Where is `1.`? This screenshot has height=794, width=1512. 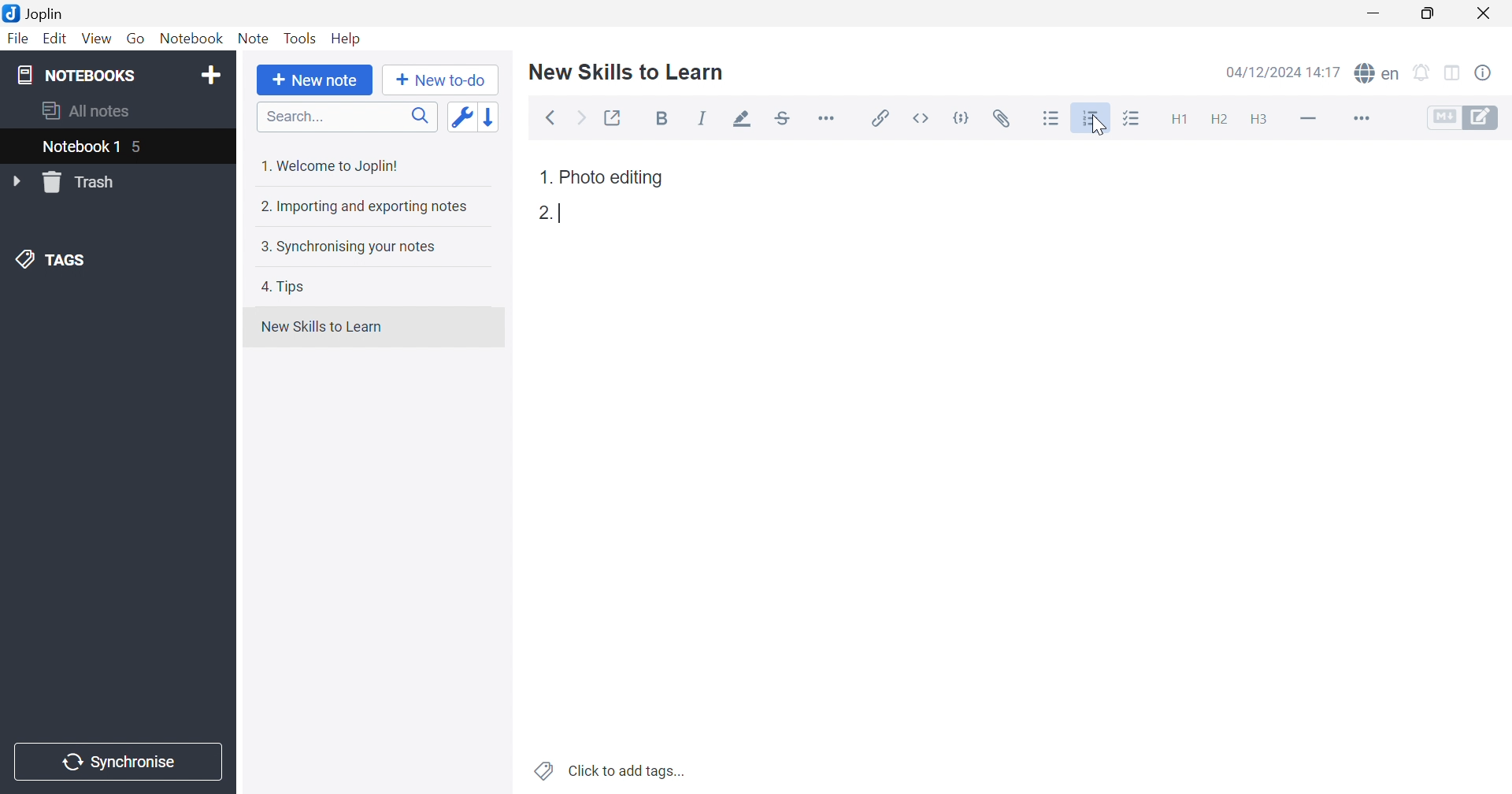 1. is located at coordinates (546, 177).